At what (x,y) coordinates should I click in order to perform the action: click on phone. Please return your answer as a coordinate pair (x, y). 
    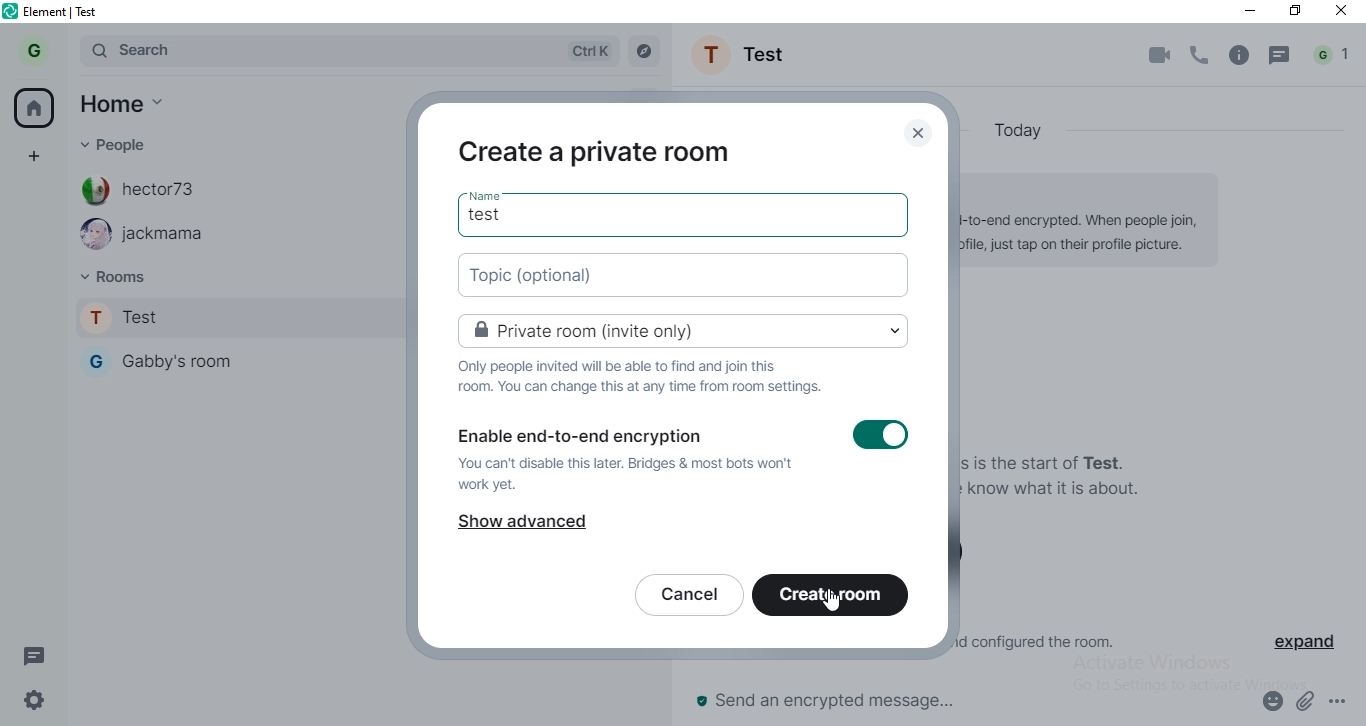
    Looking at the image, I should click on (1201, 54).